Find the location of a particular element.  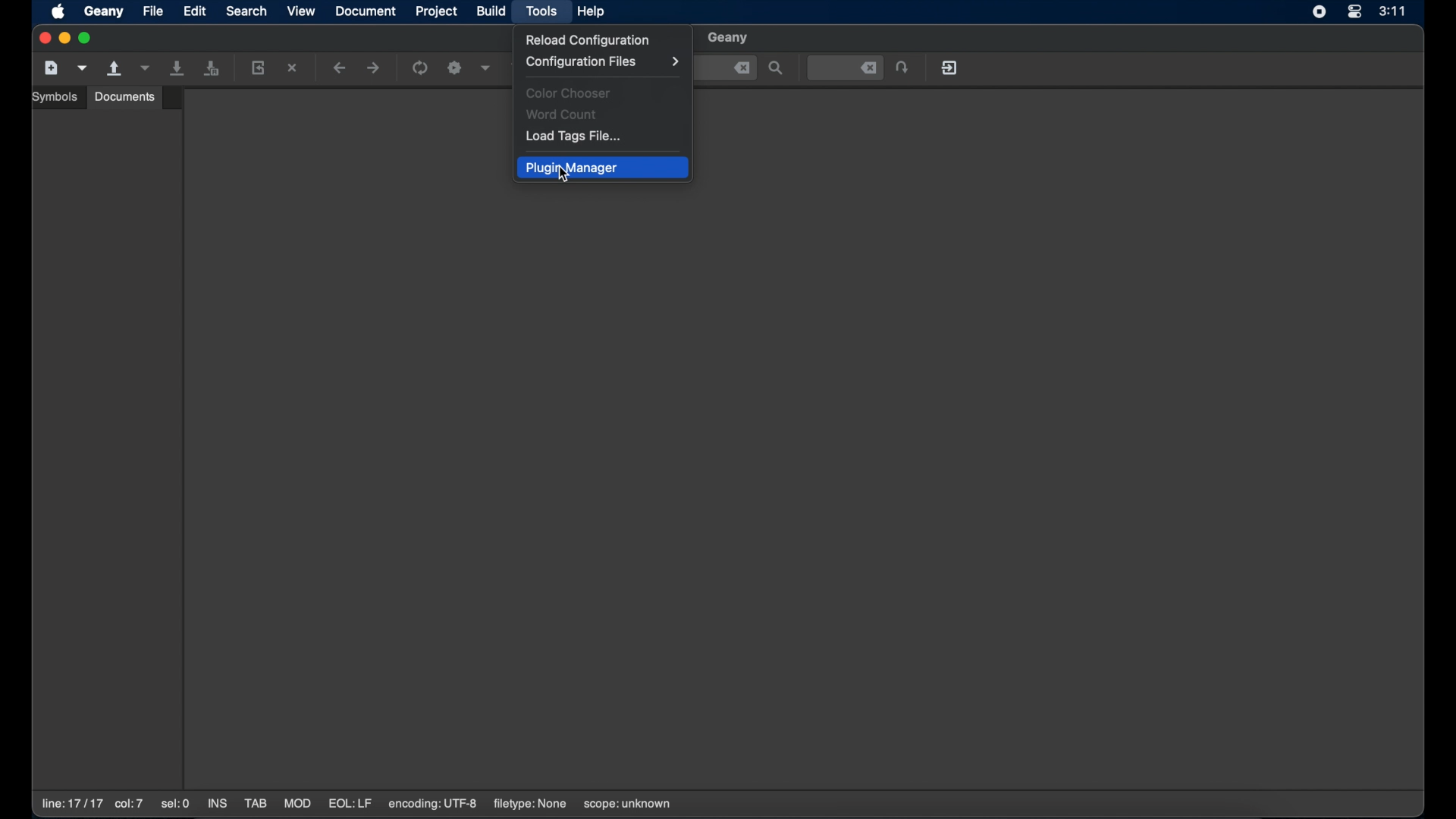

geany is located at coordinates (104, 12).